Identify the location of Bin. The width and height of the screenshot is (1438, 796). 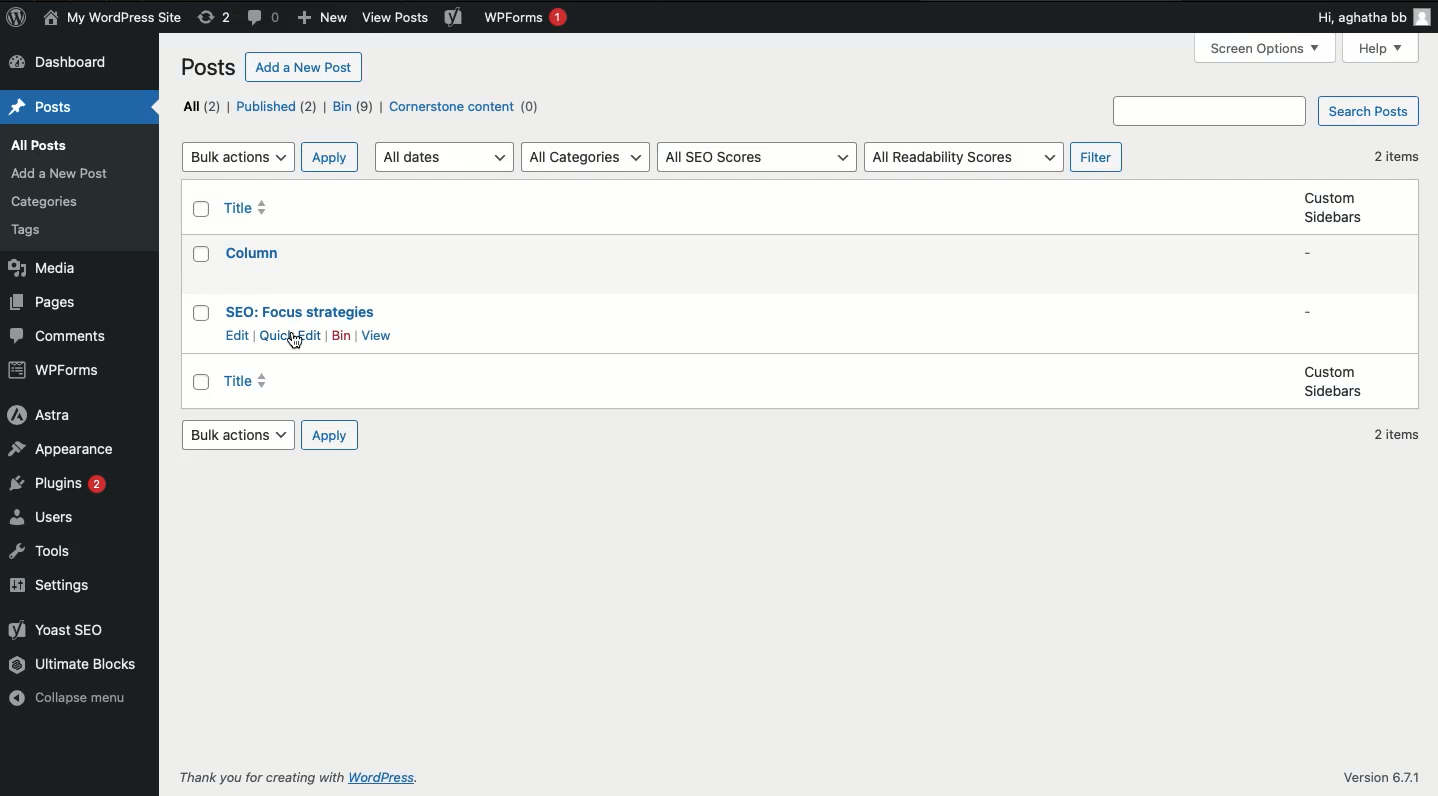
(341, 336).